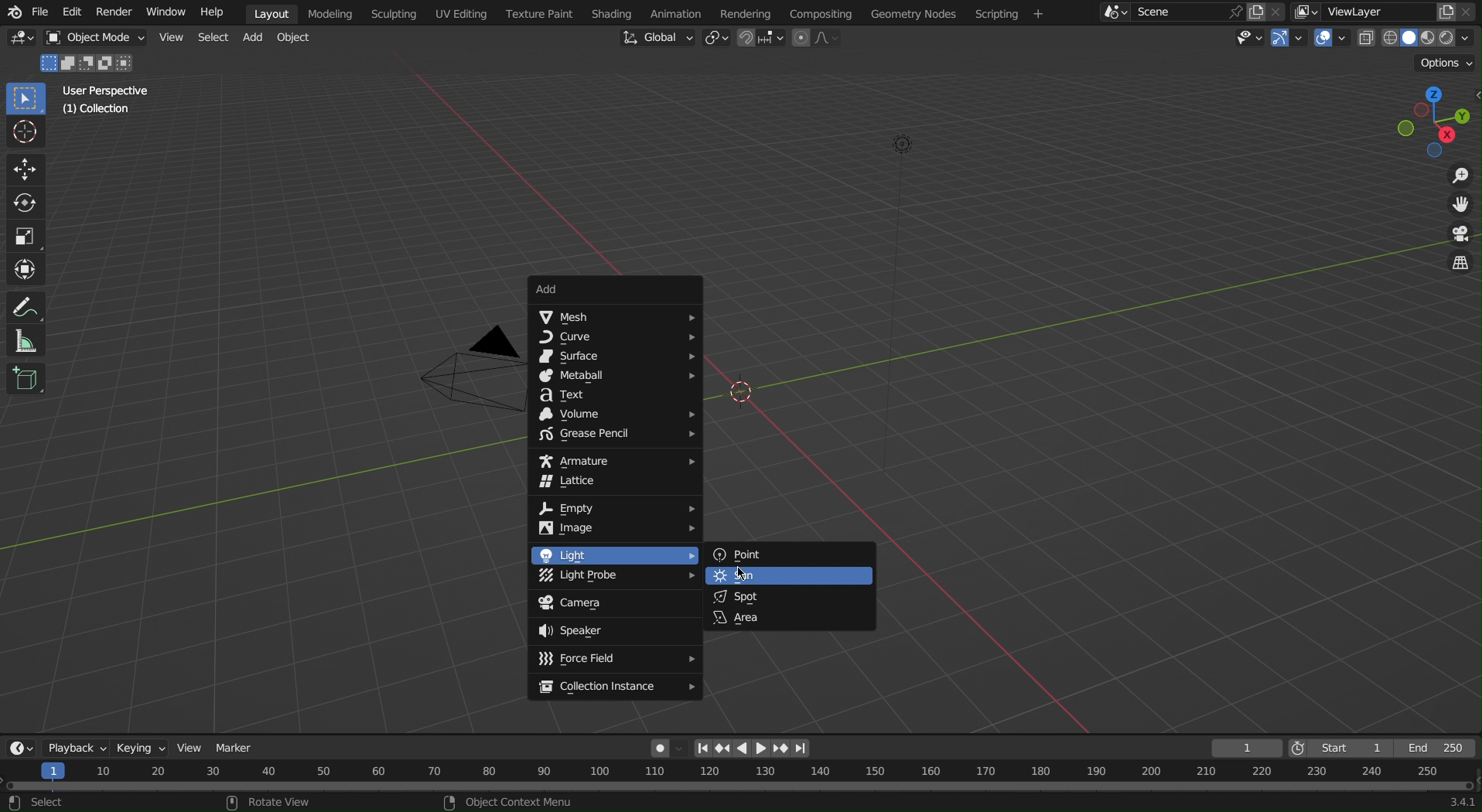 The image size is (1482, 812). What do you see at coordinates (1470, 12) in the screenshot?
I see `close` at bounding box center [1470, 12].